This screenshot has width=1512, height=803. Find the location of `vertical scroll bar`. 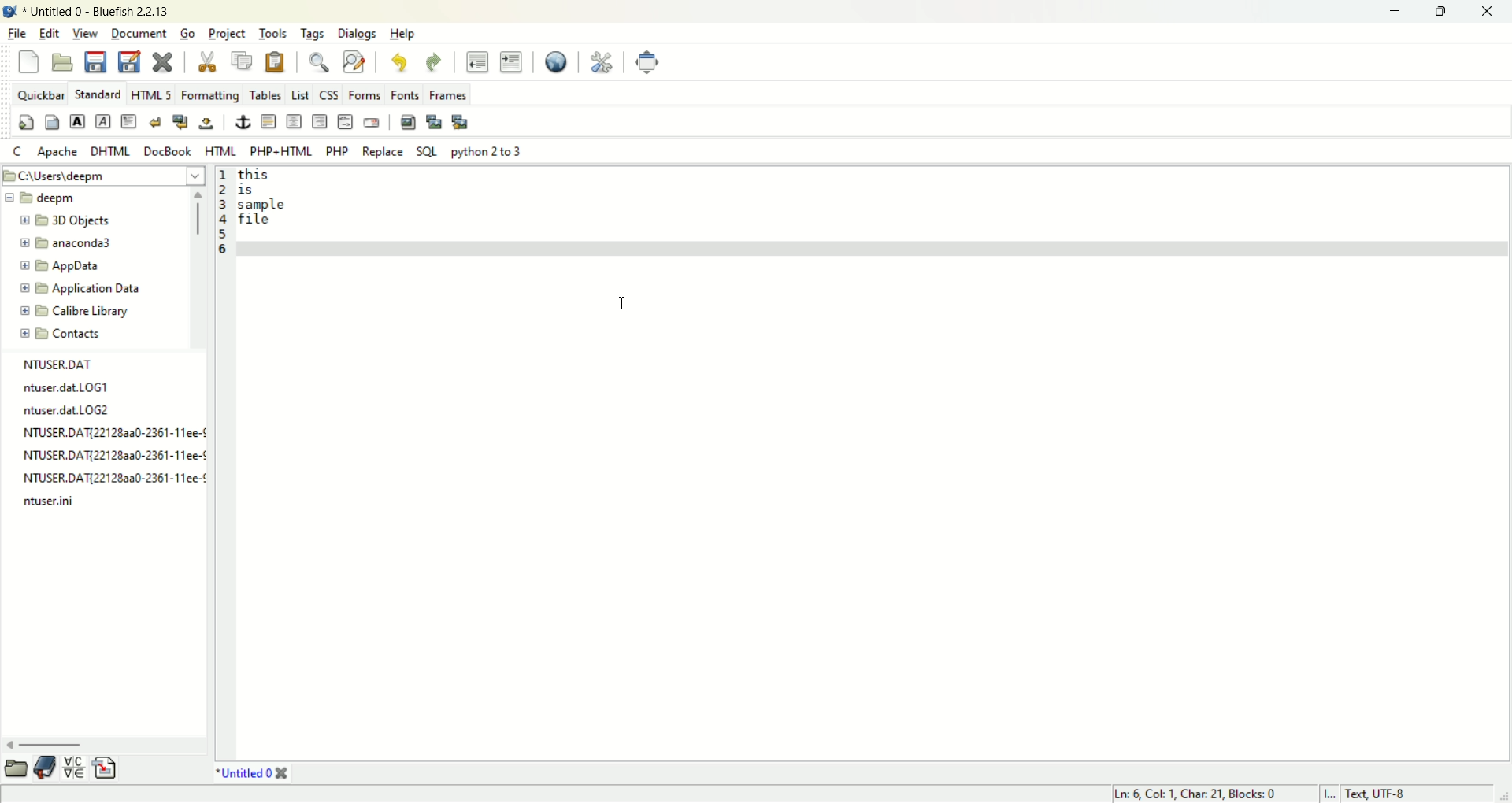

vertical scroll bar is located at coordinates (201, 268).